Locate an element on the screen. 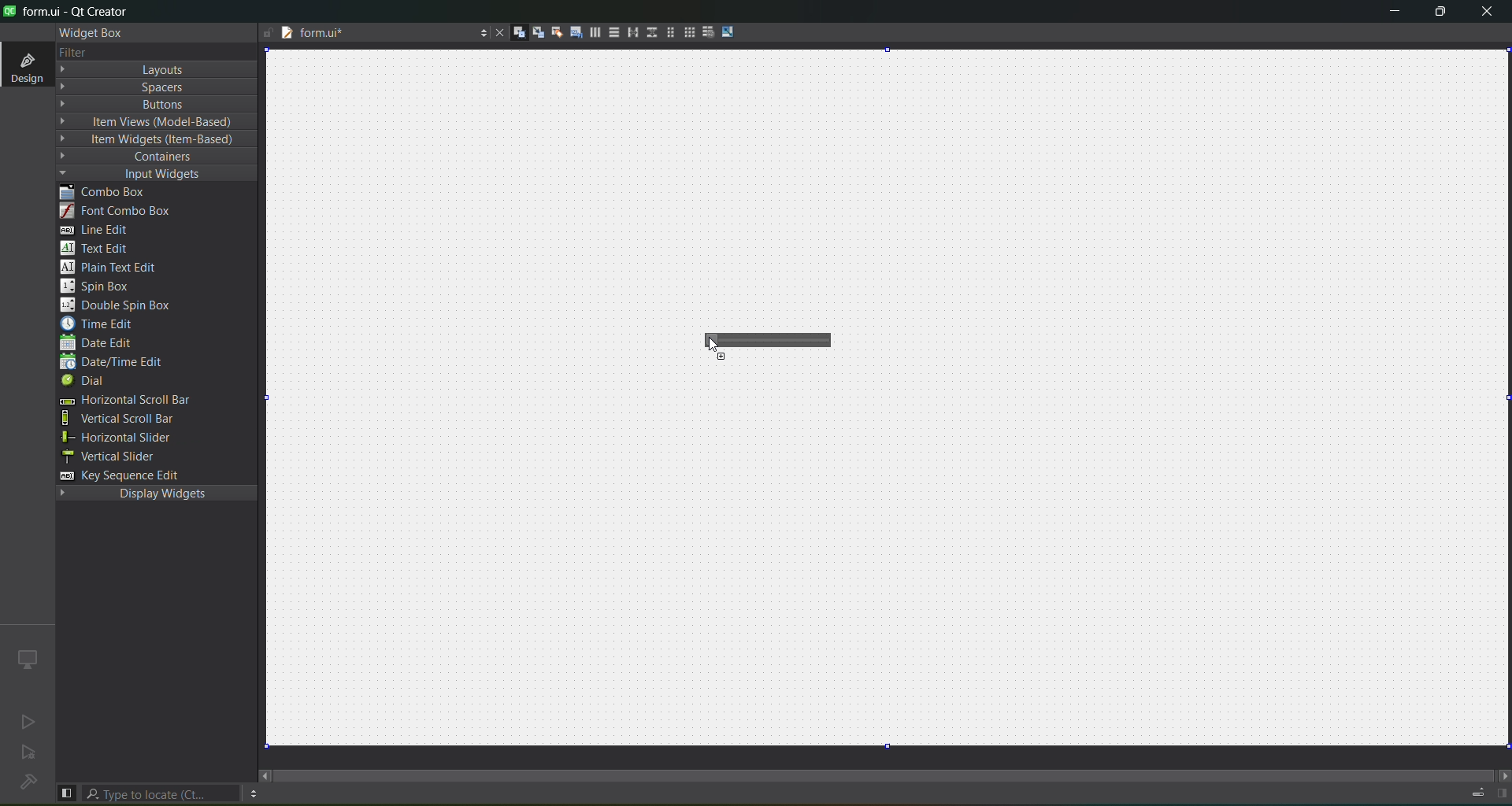 The height and width of the screenshot is (806, 1512). show left is located at coordinates (68, 792).